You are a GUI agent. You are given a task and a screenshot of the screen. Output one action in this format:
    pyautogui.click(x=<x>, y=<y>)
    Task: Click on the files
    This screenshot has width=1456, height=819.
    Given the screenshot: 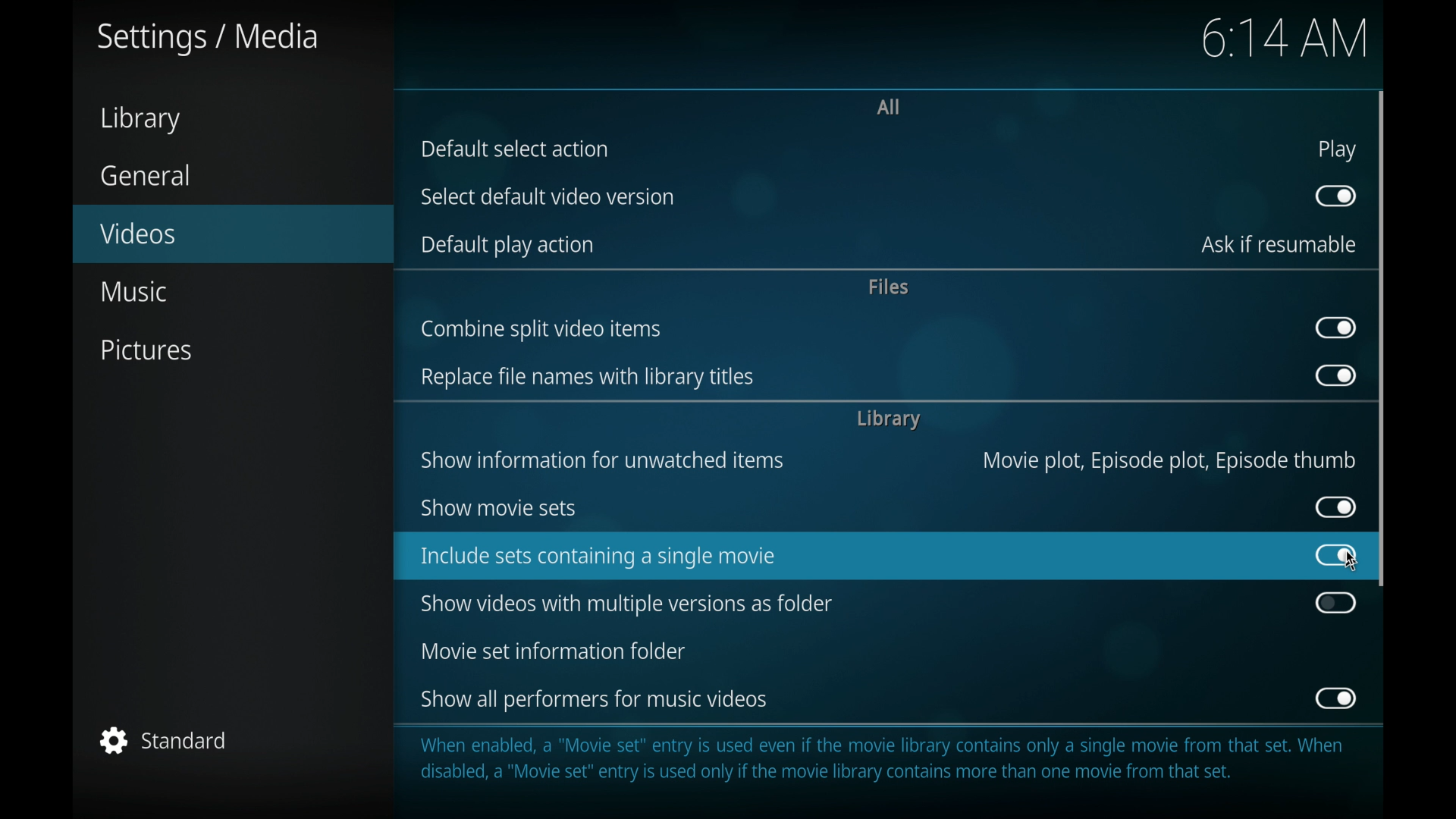 What is the action you would take?
    pyautogui.click(x=889, y=286)
    